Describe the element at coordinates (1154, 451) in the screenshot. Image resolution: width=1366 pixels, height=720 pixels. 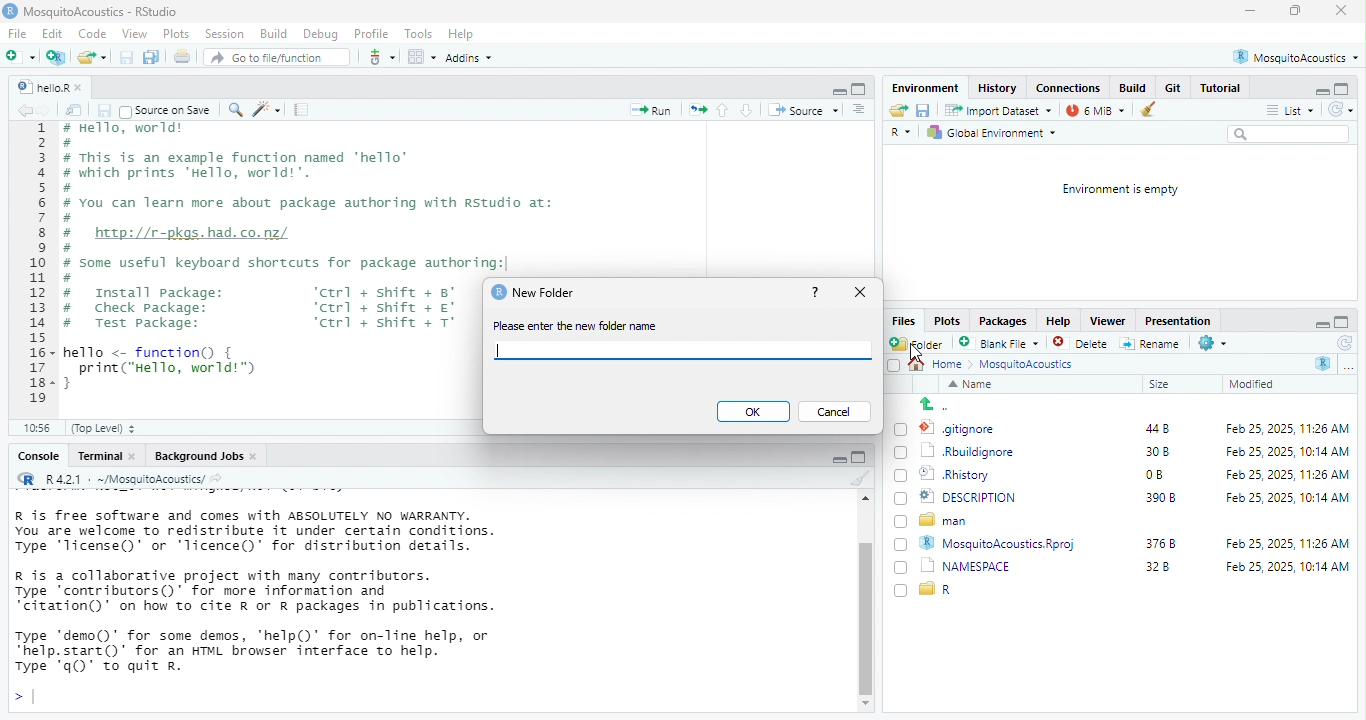
I see `30 b` at that location.